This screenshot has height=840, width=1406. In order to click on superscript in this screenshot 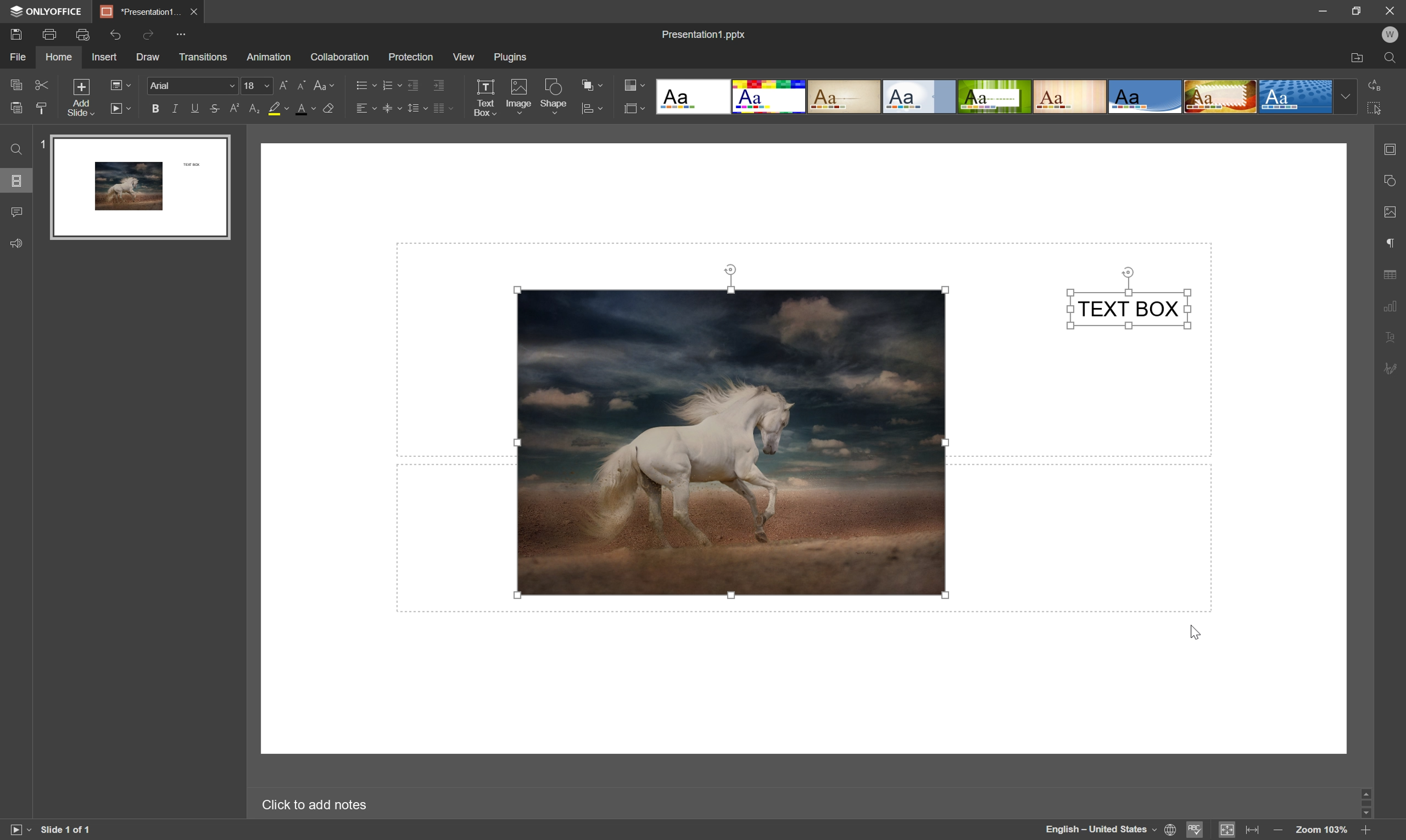, I will do `click(237, 109)`.